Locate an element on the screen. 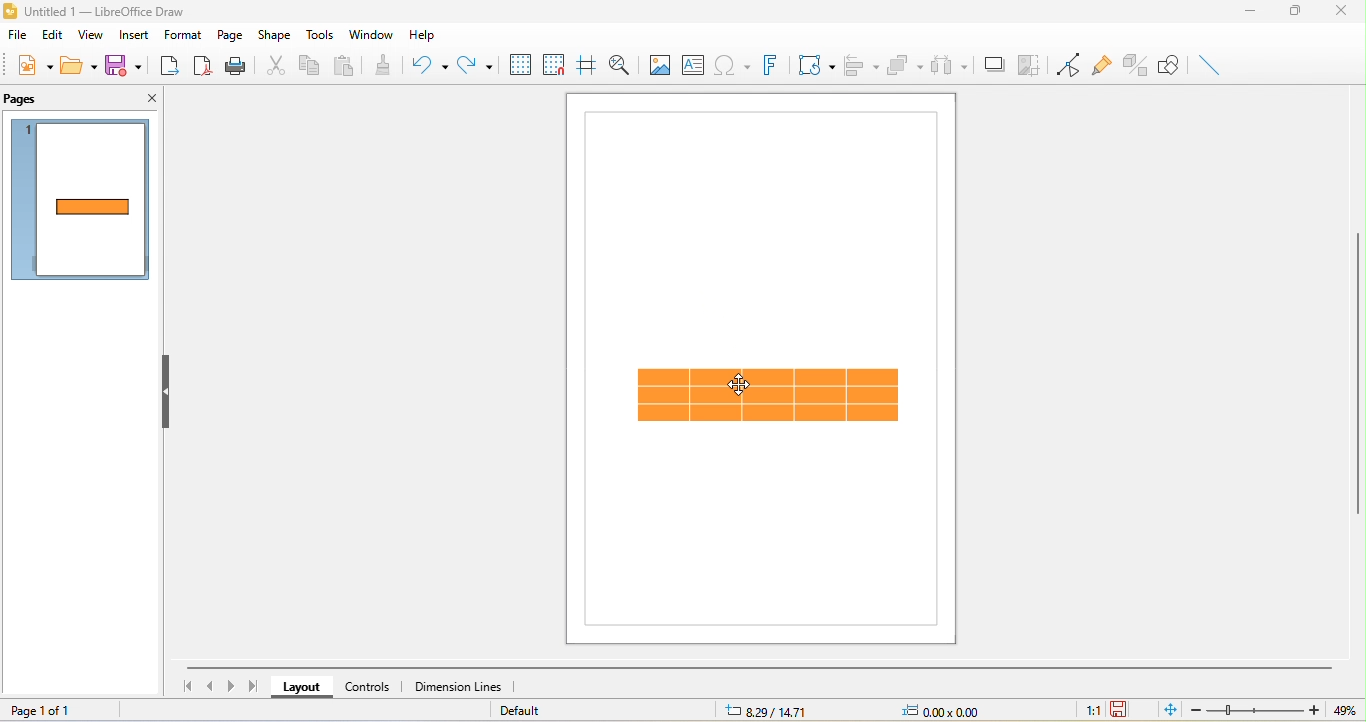  save is located at coordinates (123, 65).